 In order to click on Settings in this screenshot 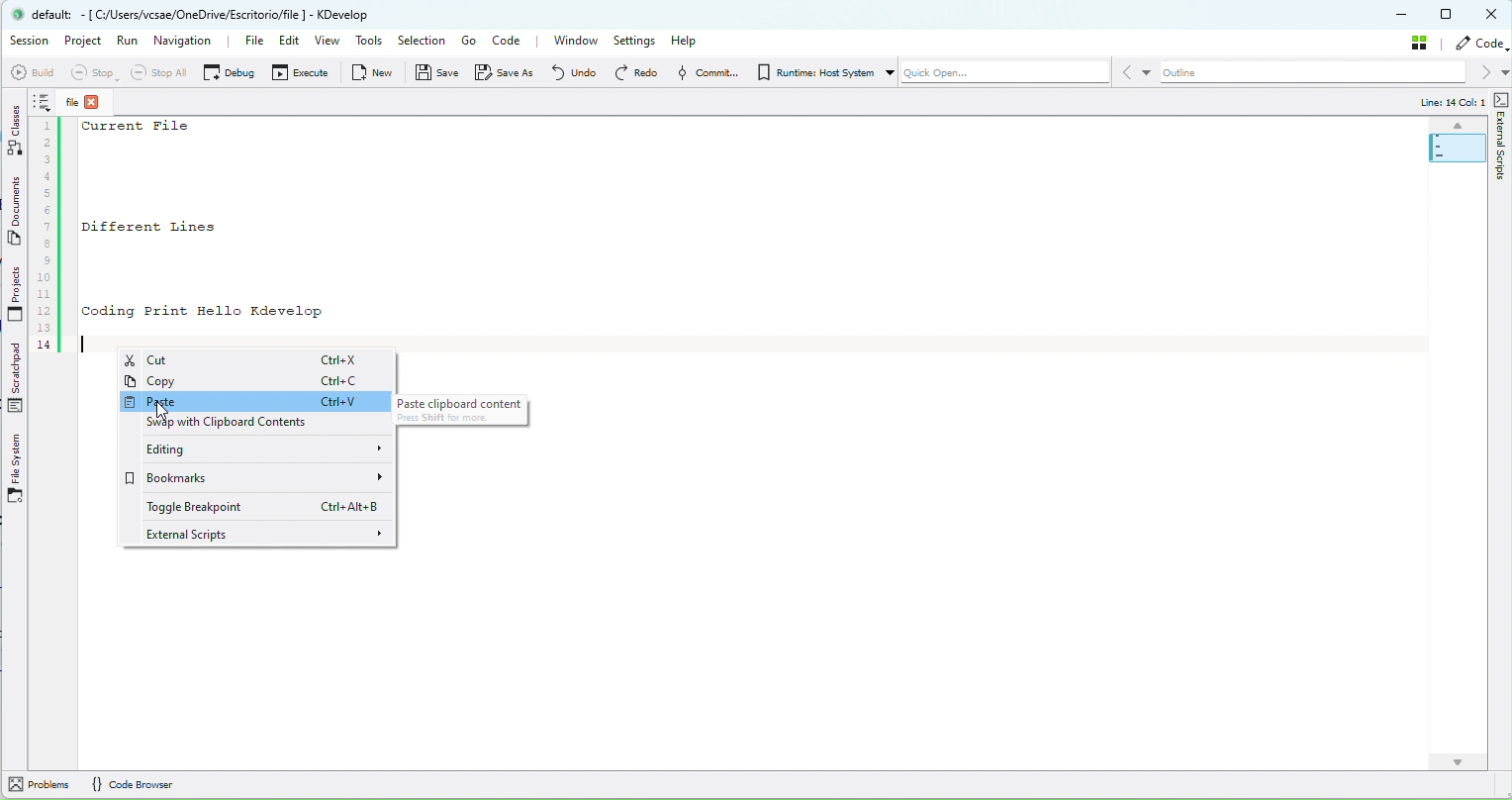, I will do `click(637, 41)`.